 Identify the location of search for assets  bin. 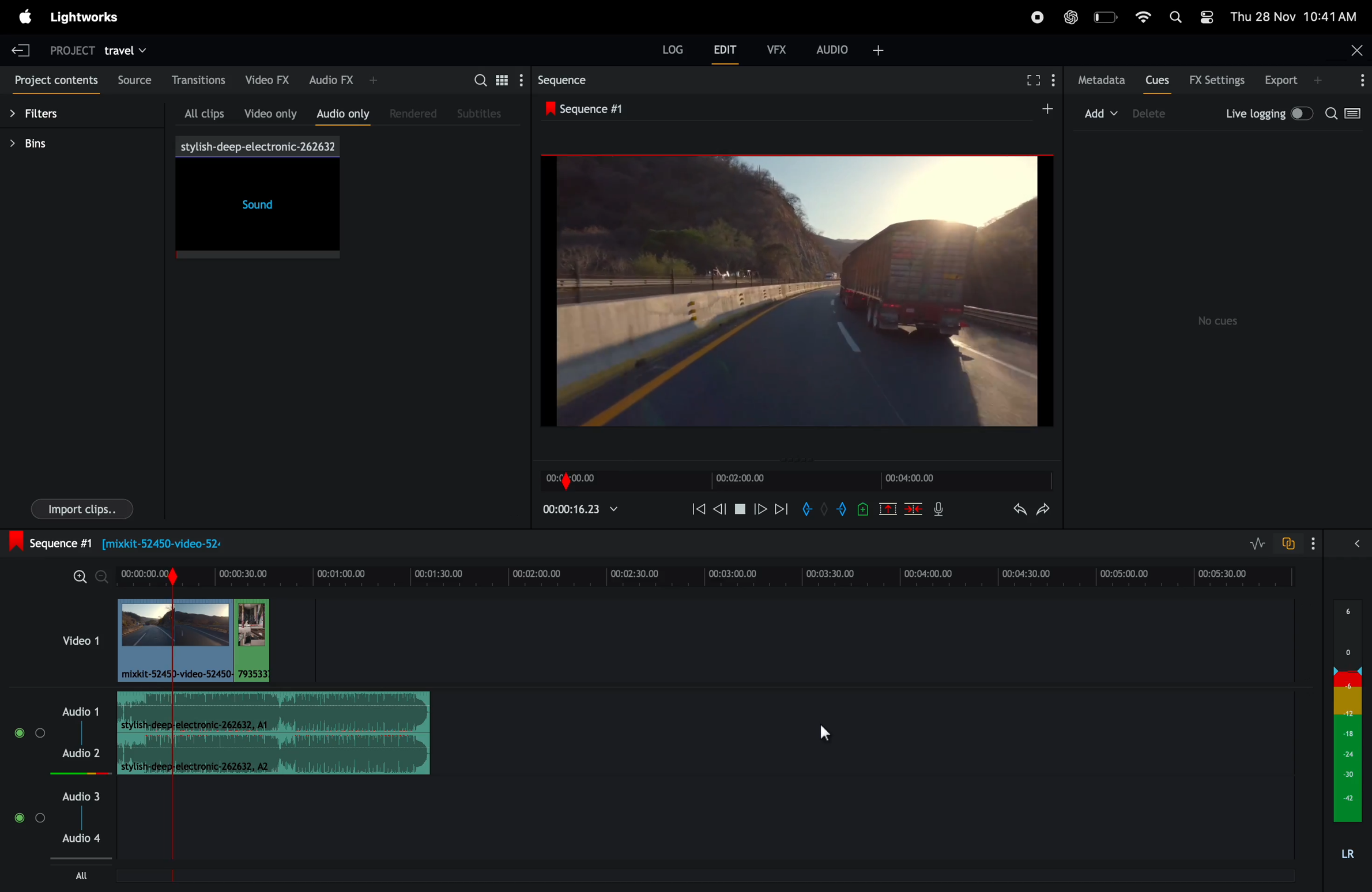
(495, 80).